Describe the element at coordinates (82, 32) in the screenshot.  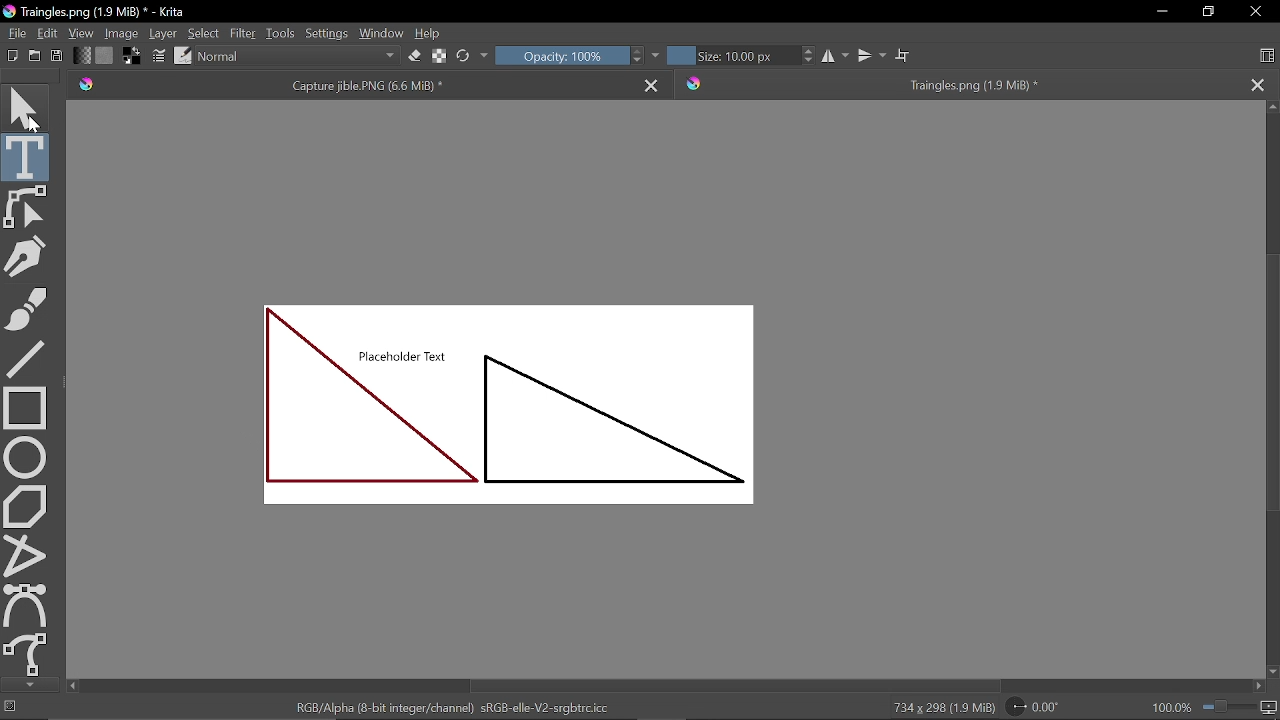
I see `View` at that location.